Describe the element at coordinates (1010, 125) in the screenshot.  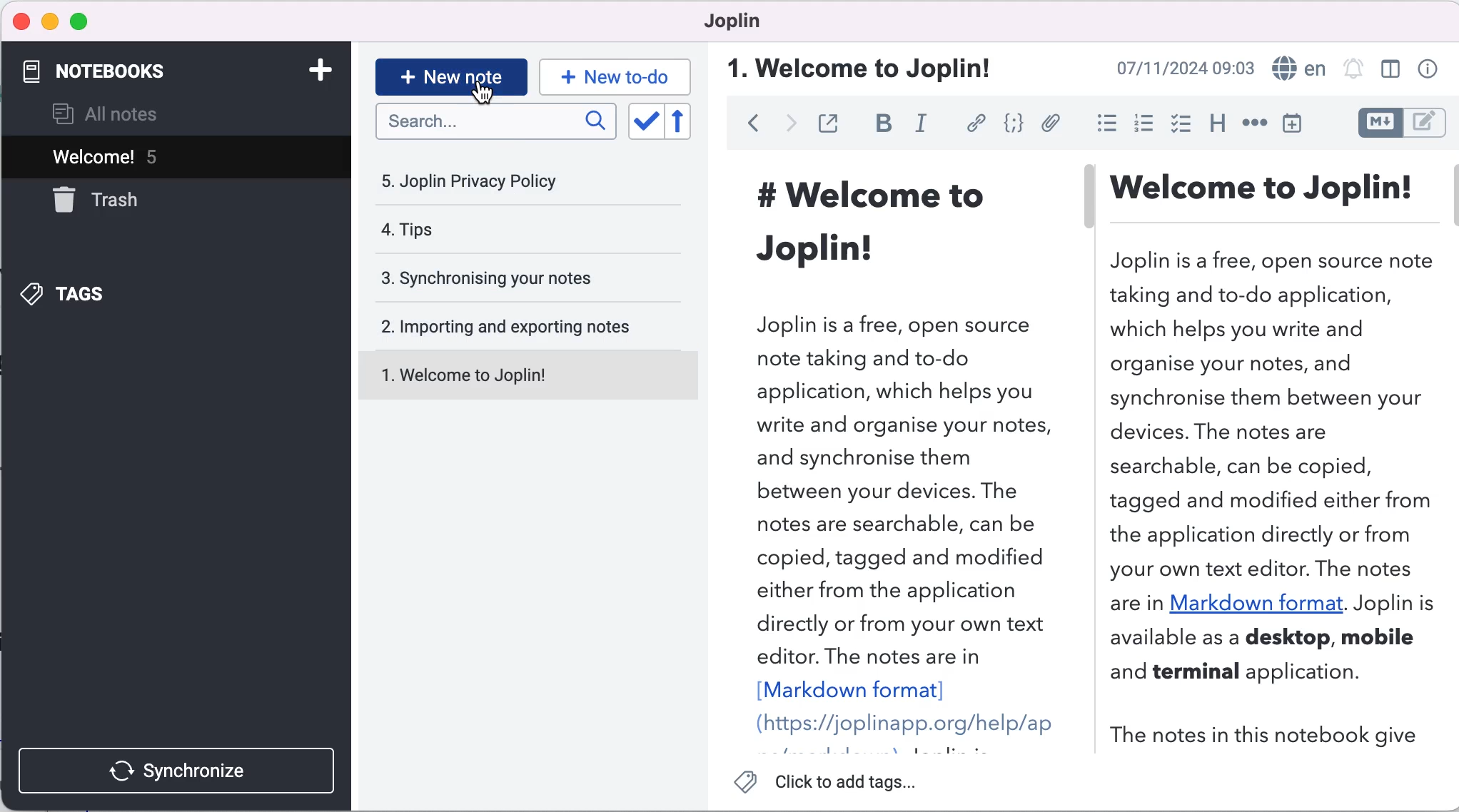
I see `code` at that location.